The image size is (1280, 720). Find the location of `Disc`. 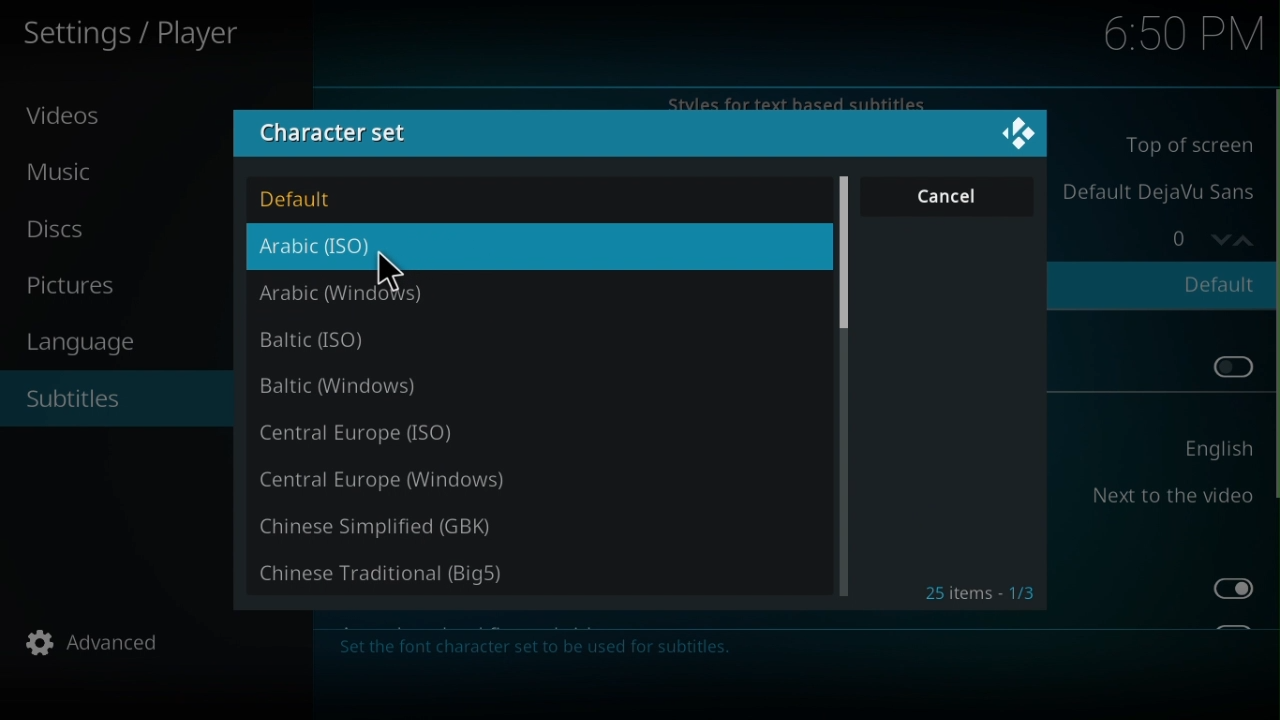

Disc is located at coordinates (64, 226).